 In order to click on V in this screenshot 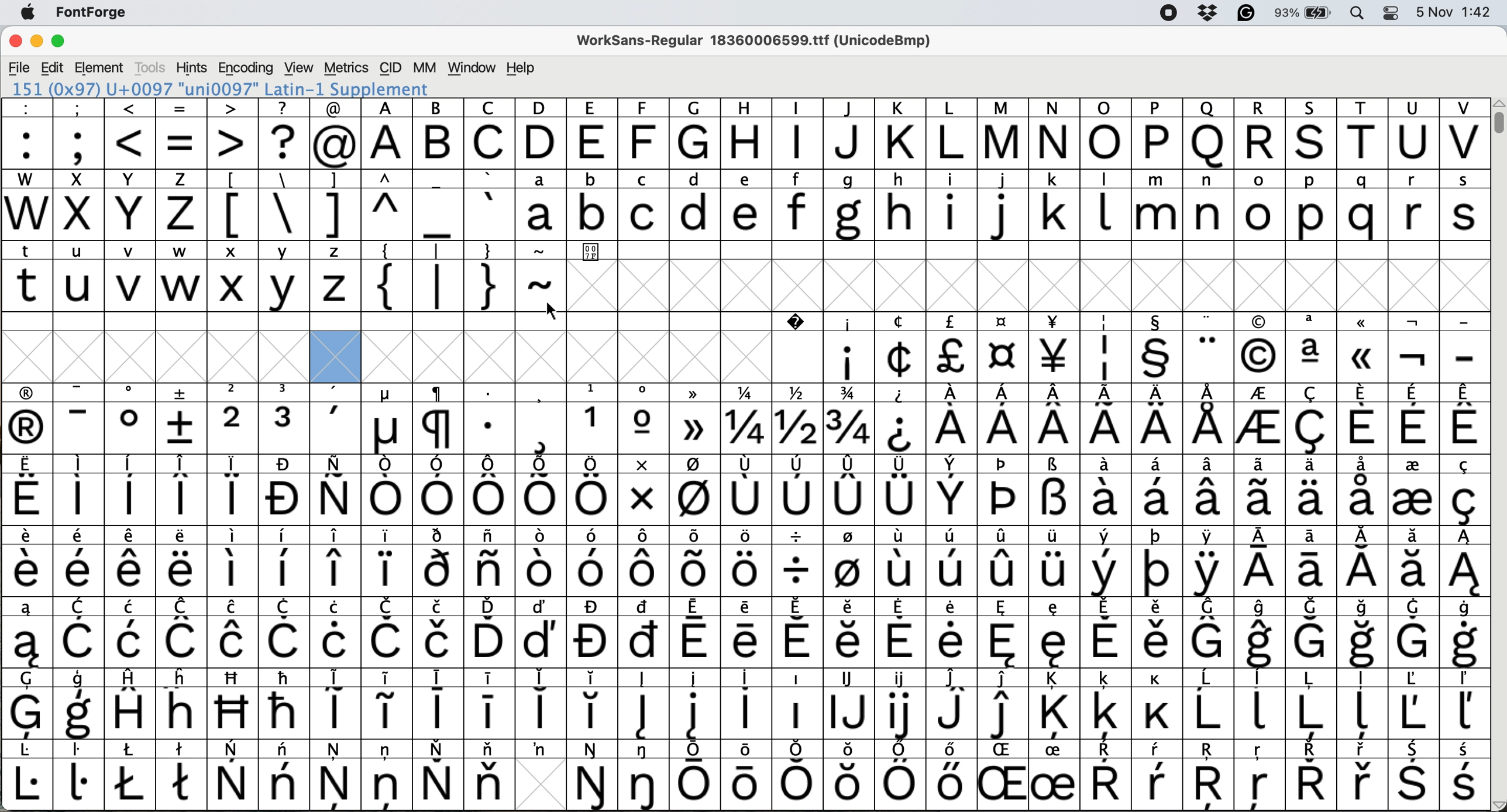, I will do `click(1464, 134)`.